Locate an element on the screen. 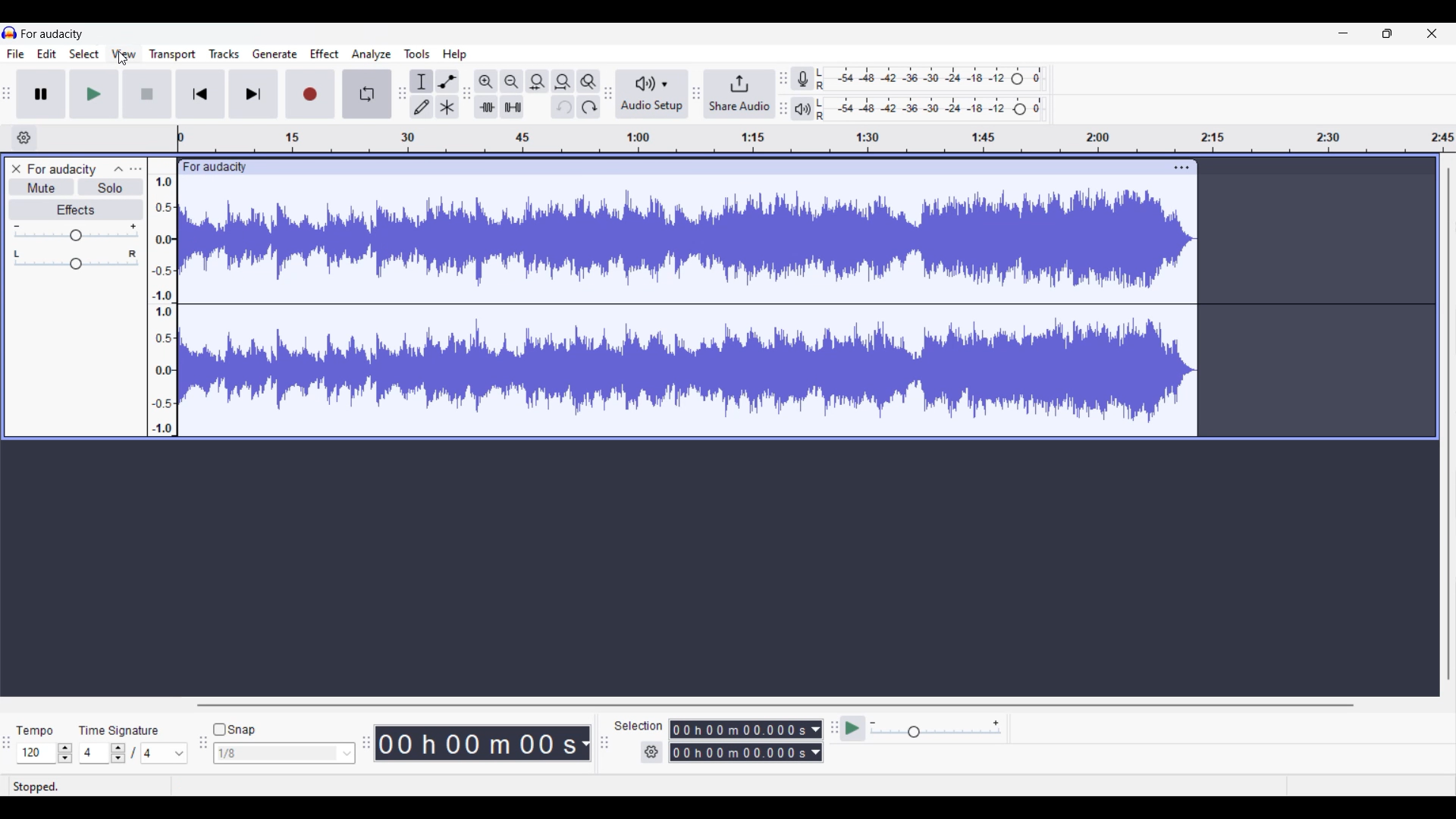 The height and width of the screenshot is (819, 1456). timestamp is located at coordinates (483, 742).